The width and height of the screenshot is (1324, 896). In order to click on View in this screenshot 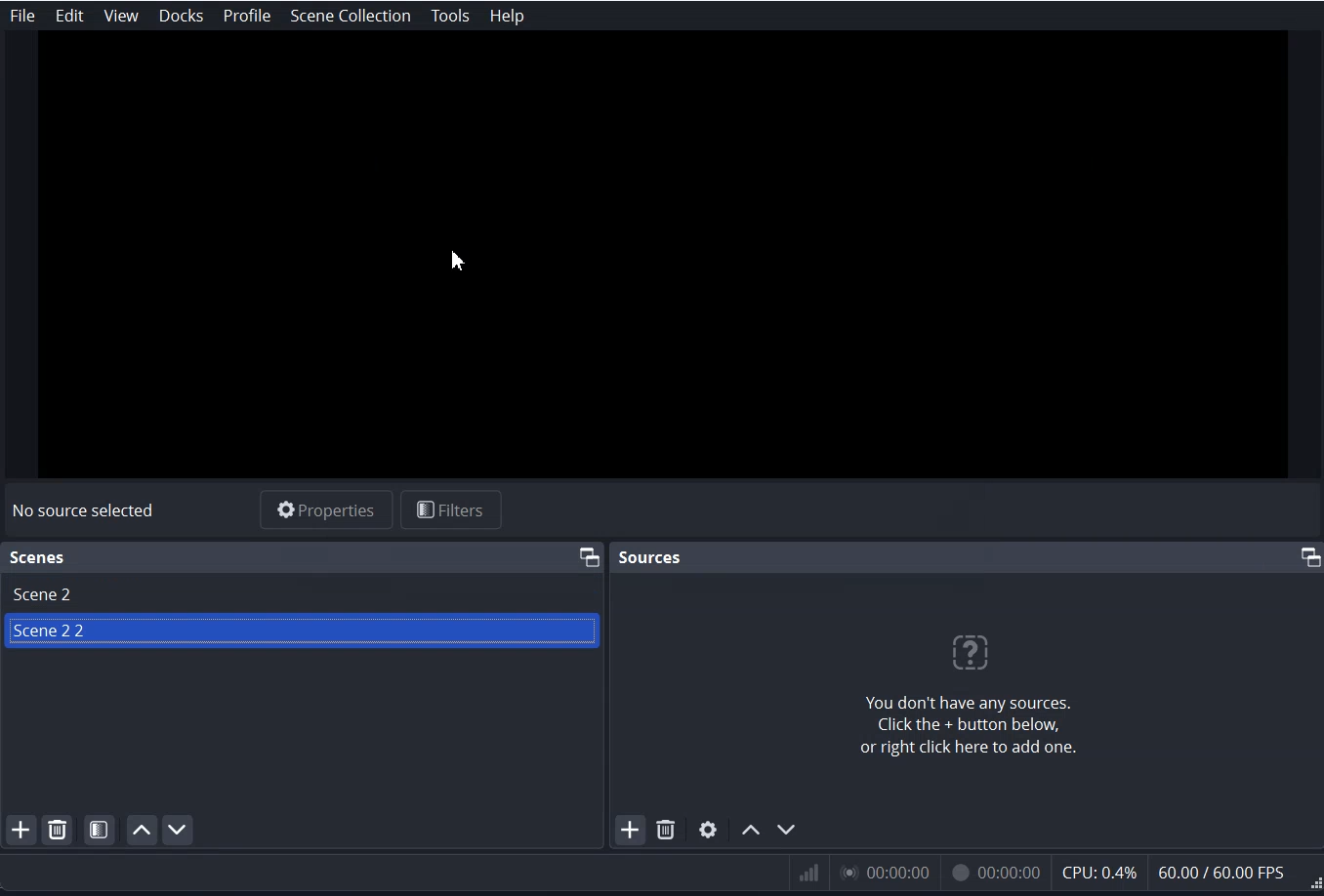, I will do `click(120, 16)`.